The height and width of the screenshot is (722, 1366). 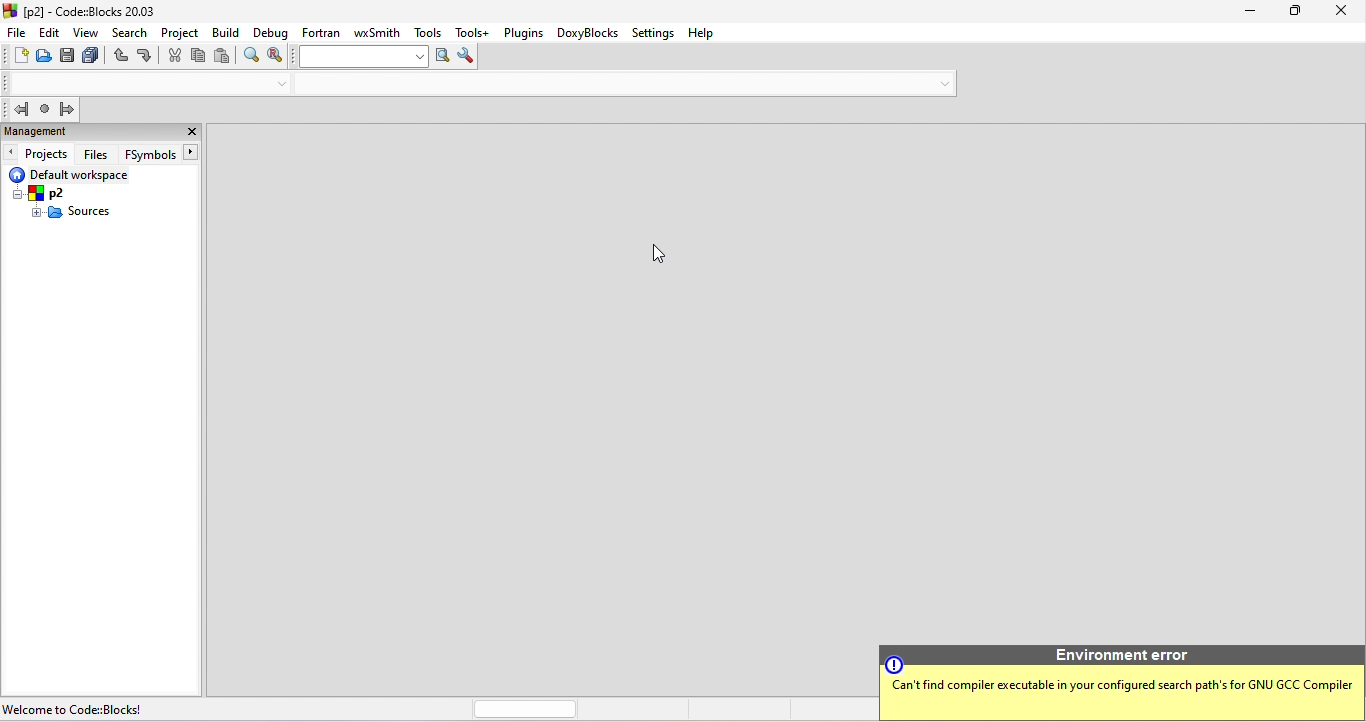 What do you see at coordinates (277, 84) in the screenshot?
I see `drop down` at bounding box center [277, 84].